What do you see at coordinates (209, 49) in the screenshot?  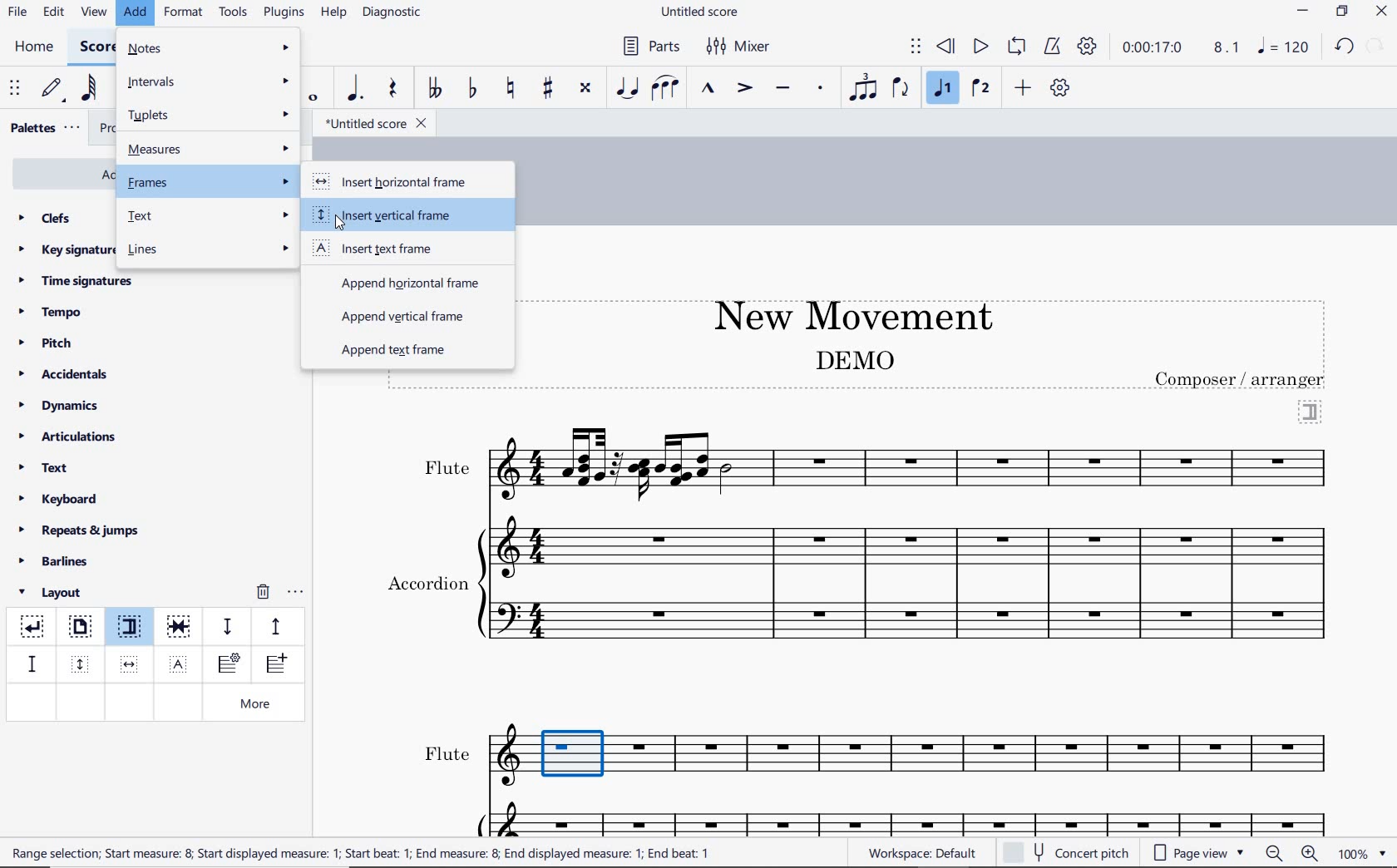 I see `notes` at bounding box center [209, 49].